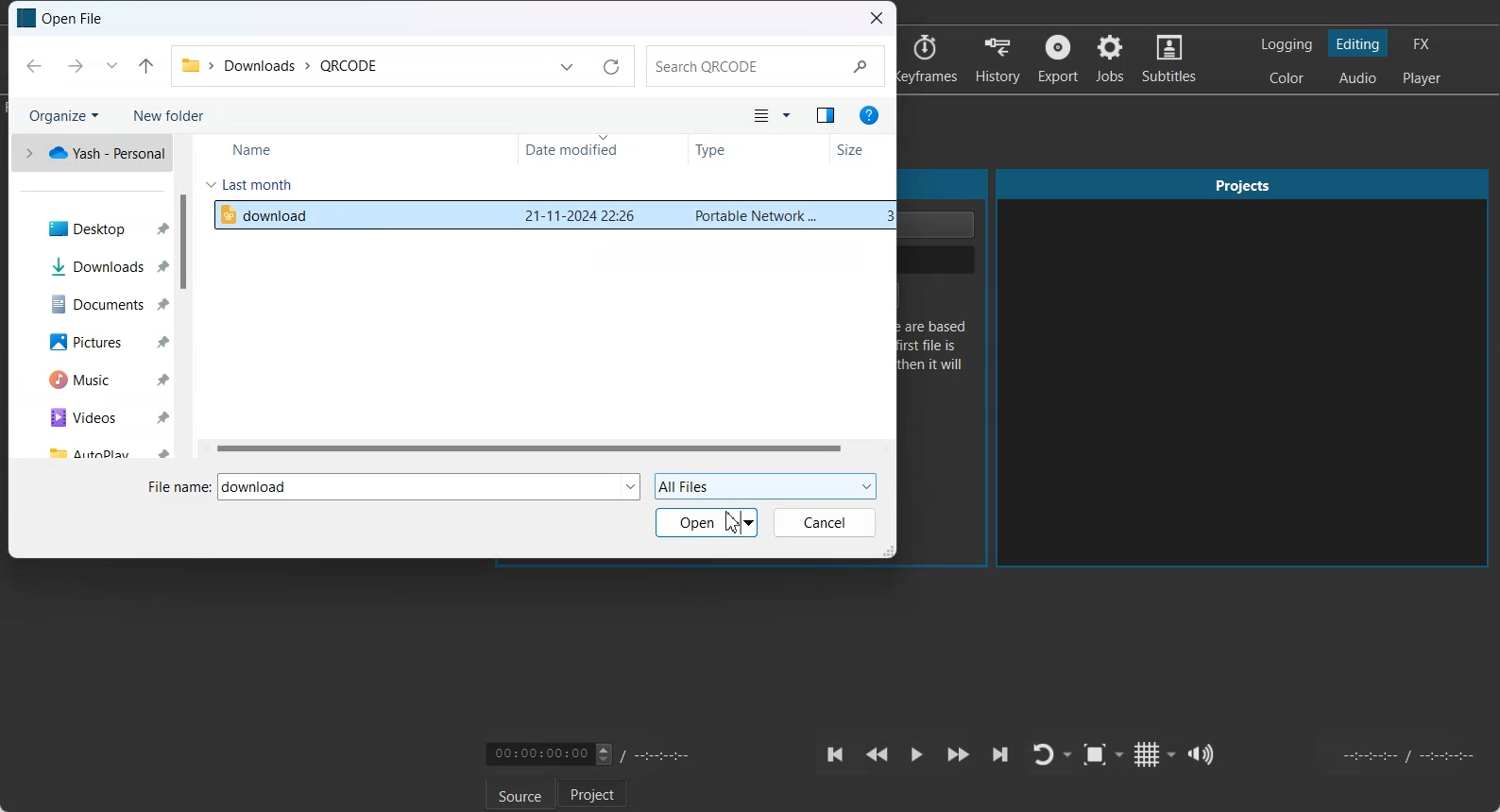 Image resolution: width=1500 pixels, height=812 pixels. What do you see at coordinates (883, 216) in the screenshot?
I see `size` at bounding box center [883, 216].